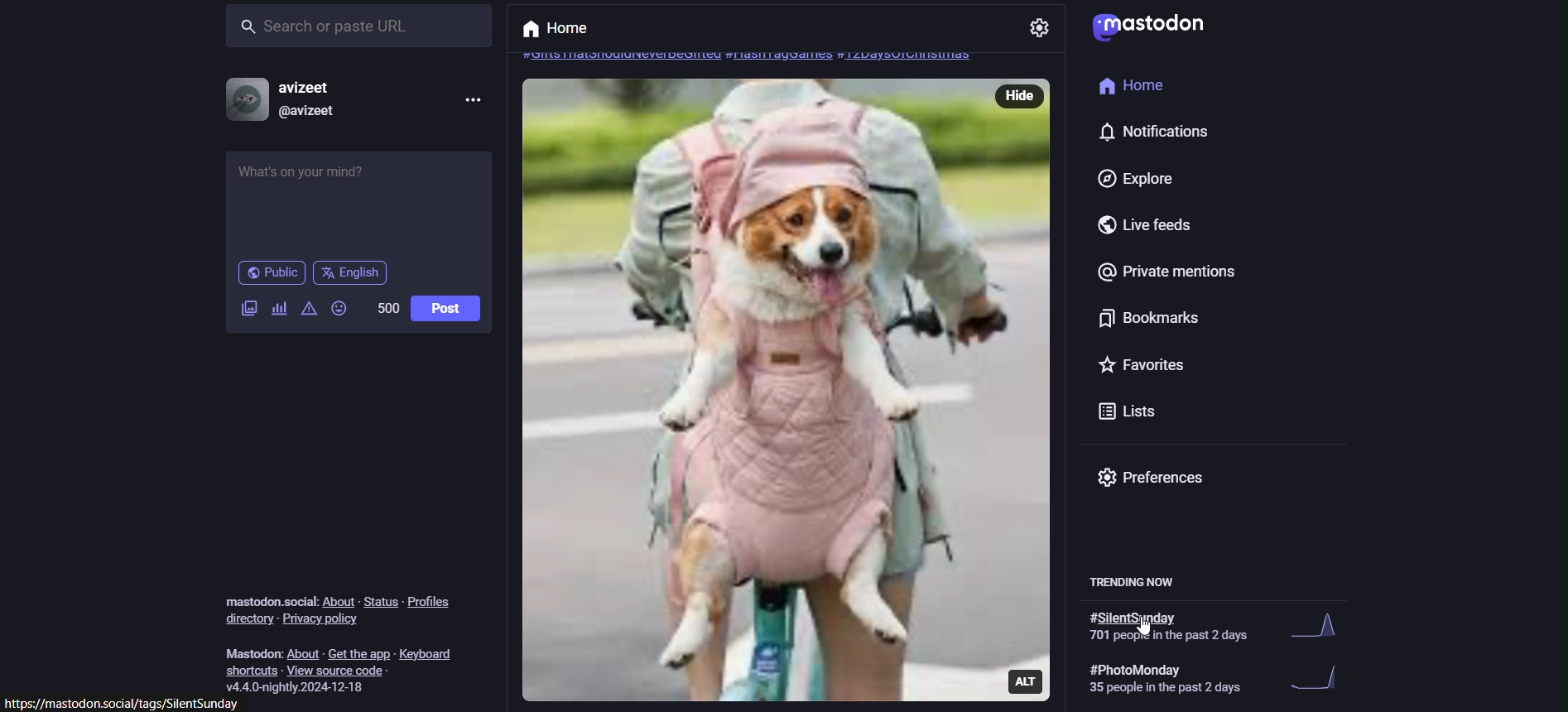 The height and width of the screenshot is (712, 1568). Describe the element at coordinates (448, 307) in the screenshot. I see `post` at that location.